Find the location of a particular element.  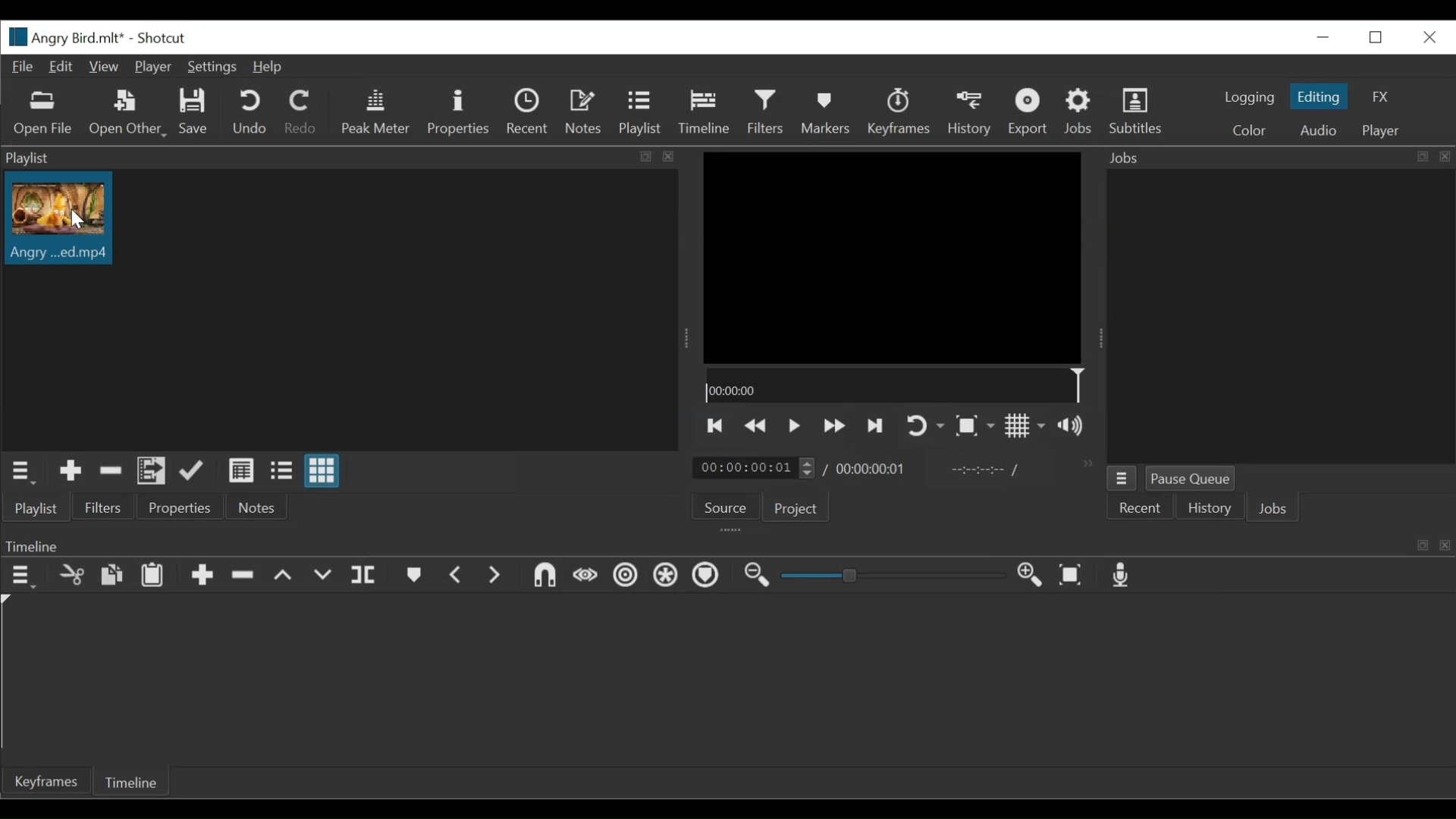

Ripple Markers is located at coordinates (709, 578).